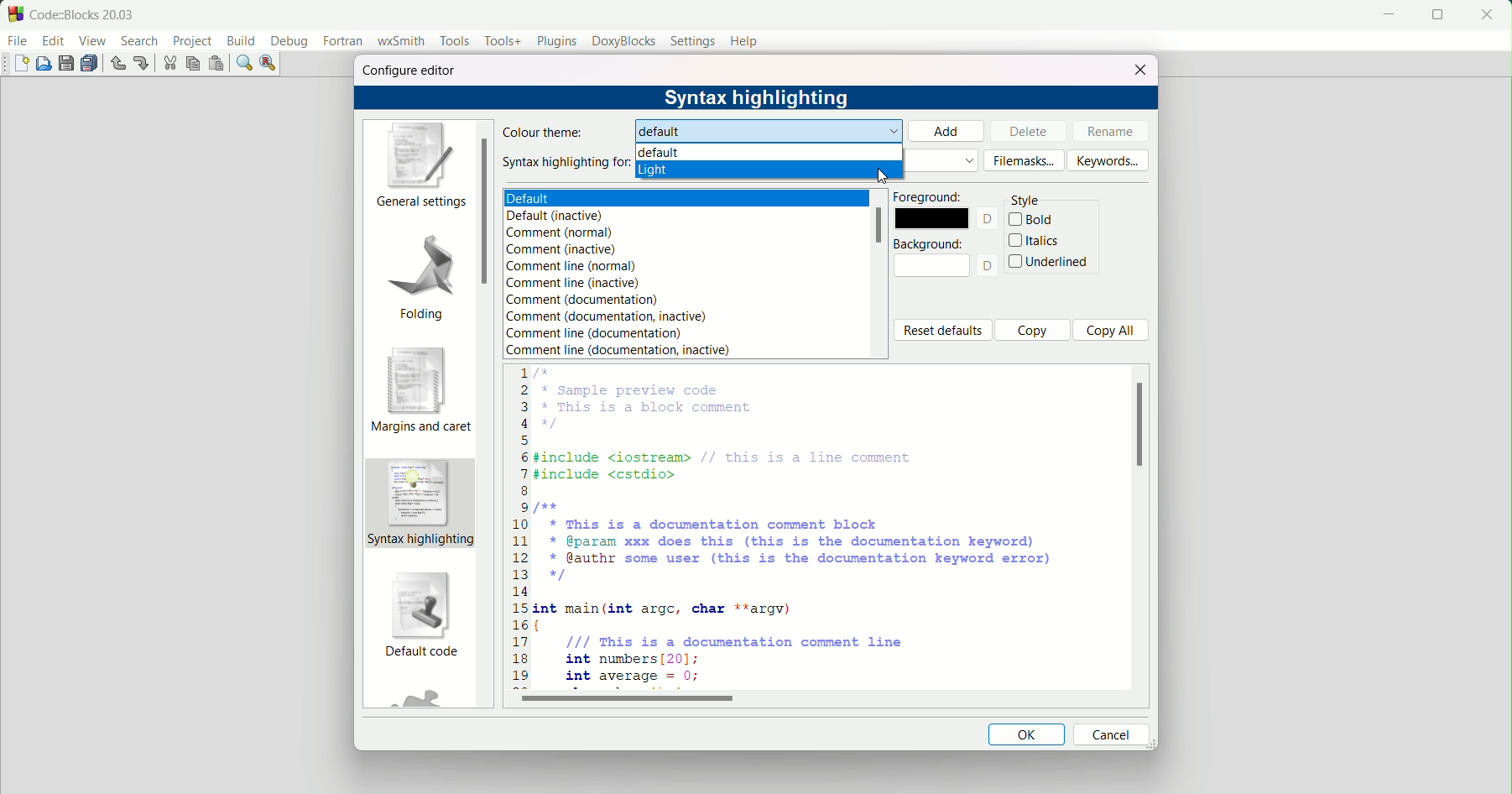 Image resolution: width=1512 pixels, height=794 pixels. What do you see at coordinates (290, 43) in the screenshot?
I see `debug` at bounding box center [290, 43].